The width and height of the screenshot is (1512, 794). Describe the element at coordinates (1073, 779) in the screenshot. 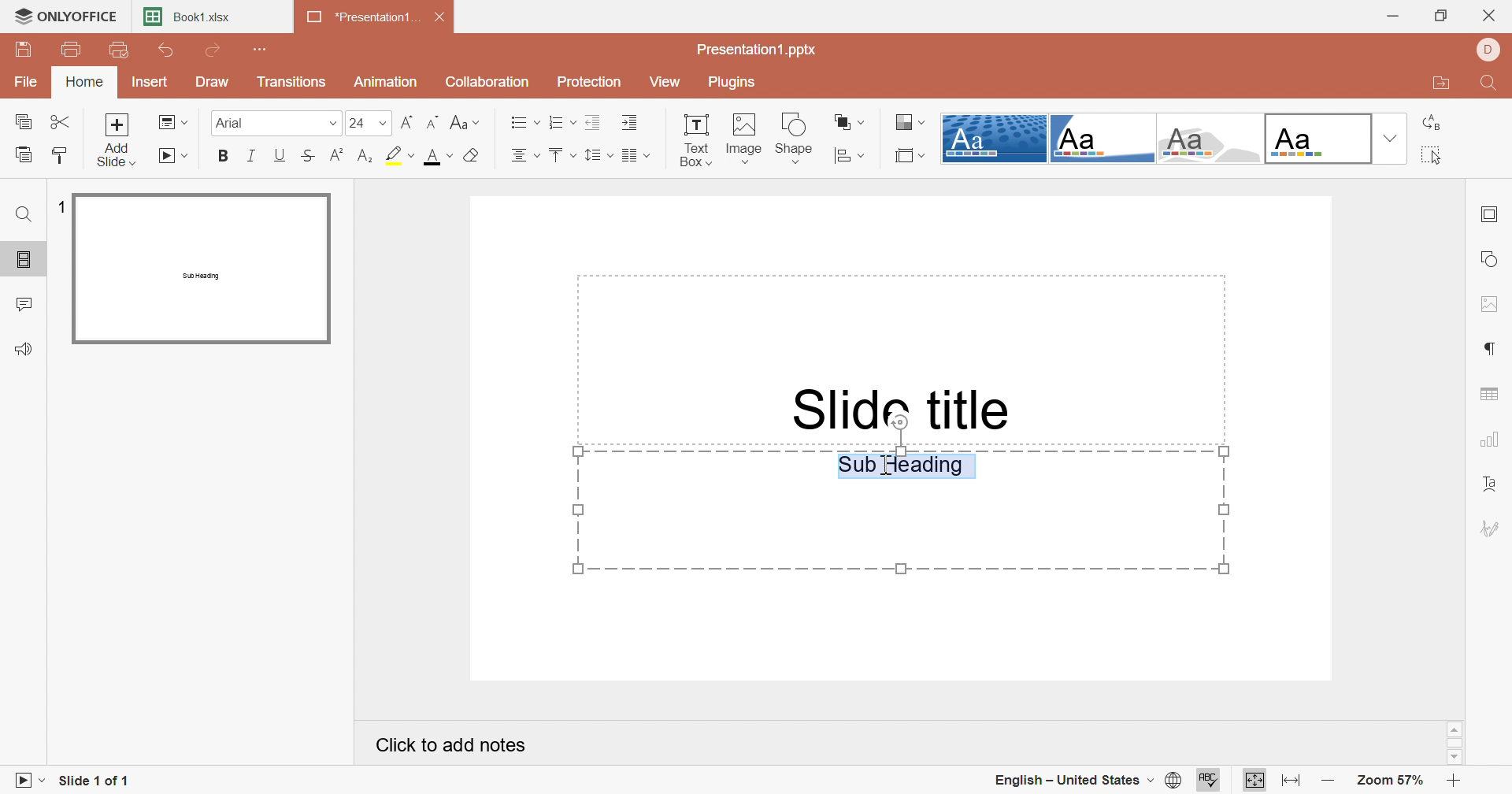

I see `English - United States` at that location.